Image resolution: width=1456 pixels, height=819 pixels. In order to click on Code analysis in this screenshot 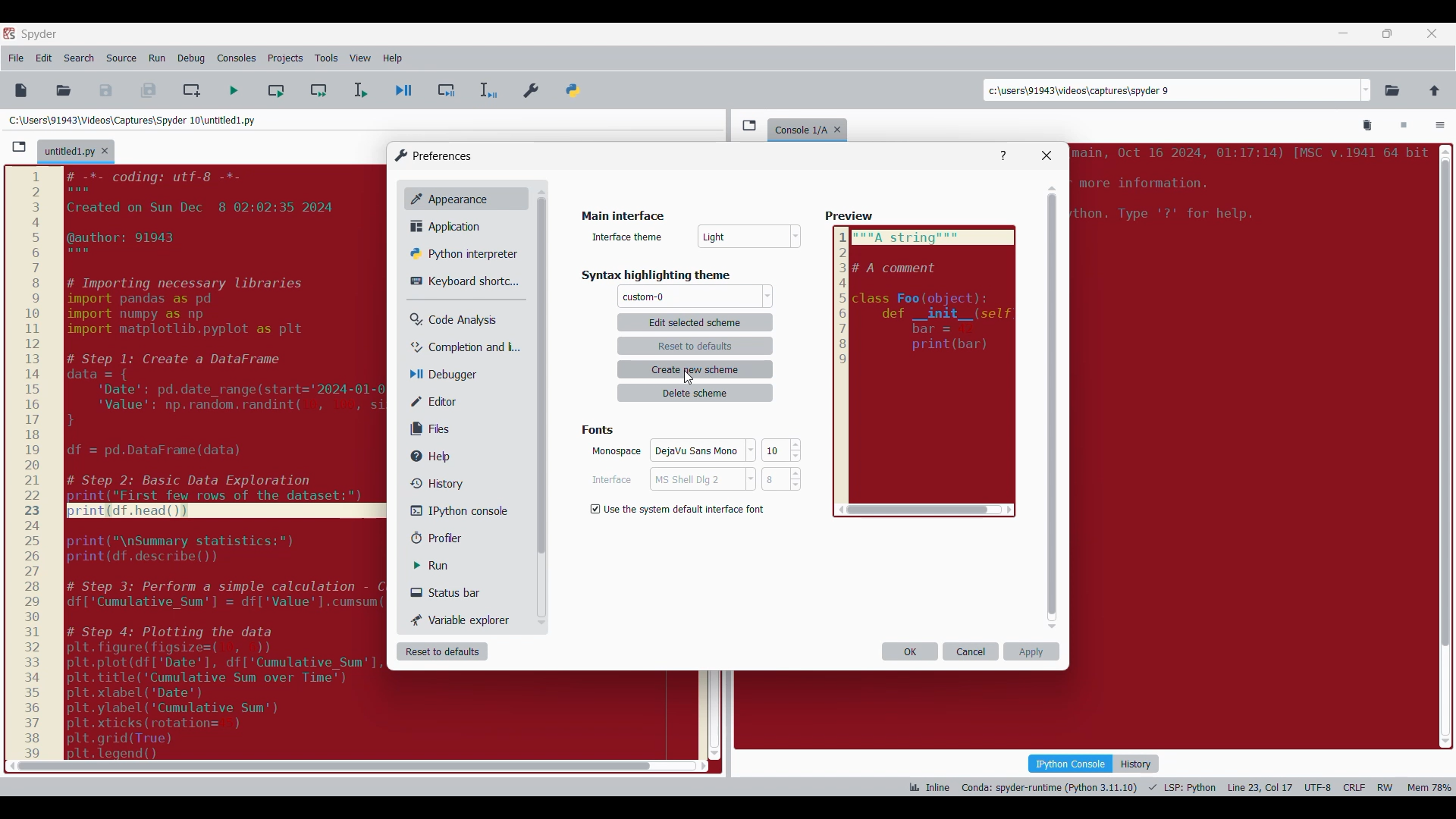, I will do `click(464, 319)`.